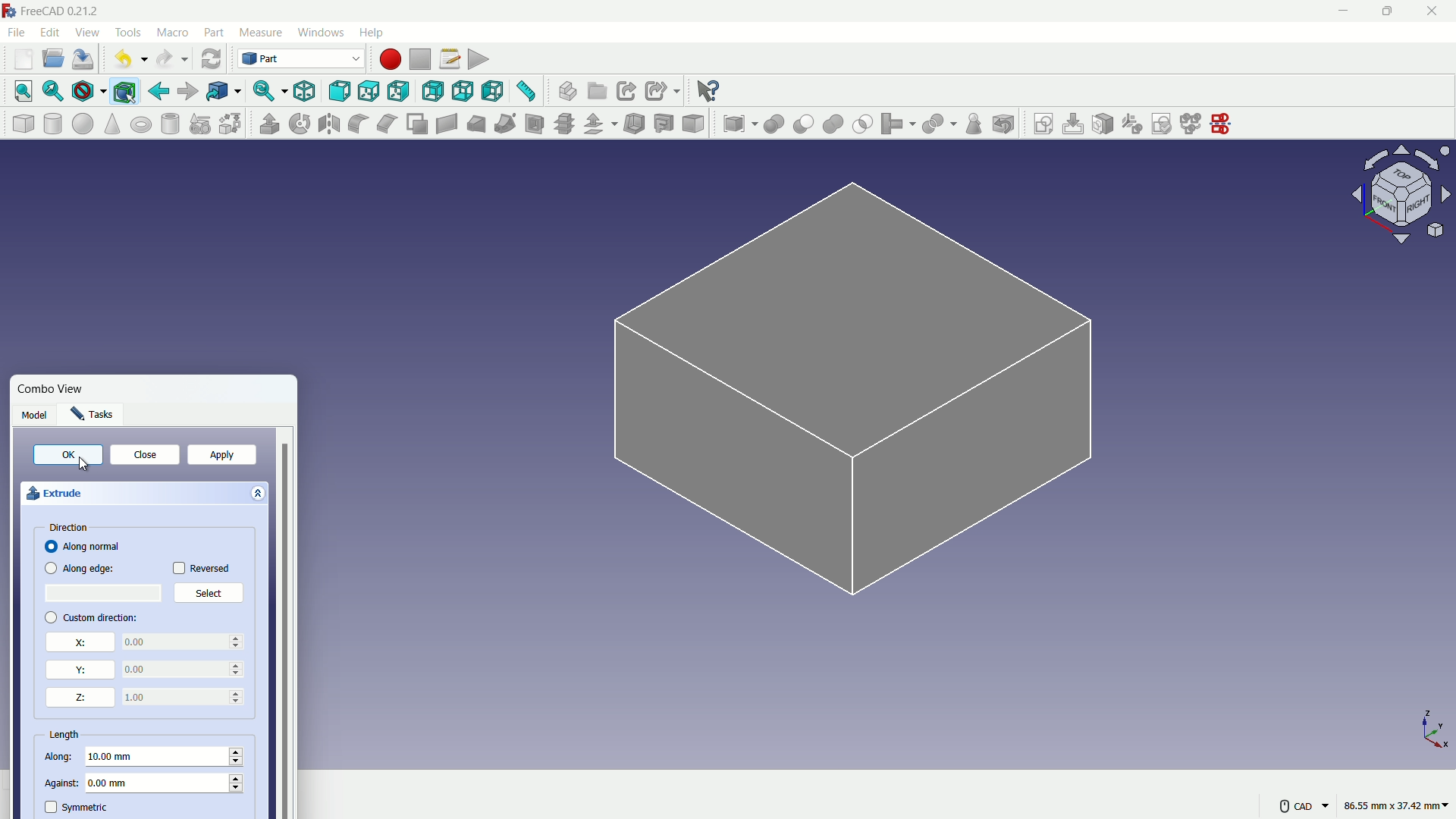  I want to click on color per face, so click(695, 124).